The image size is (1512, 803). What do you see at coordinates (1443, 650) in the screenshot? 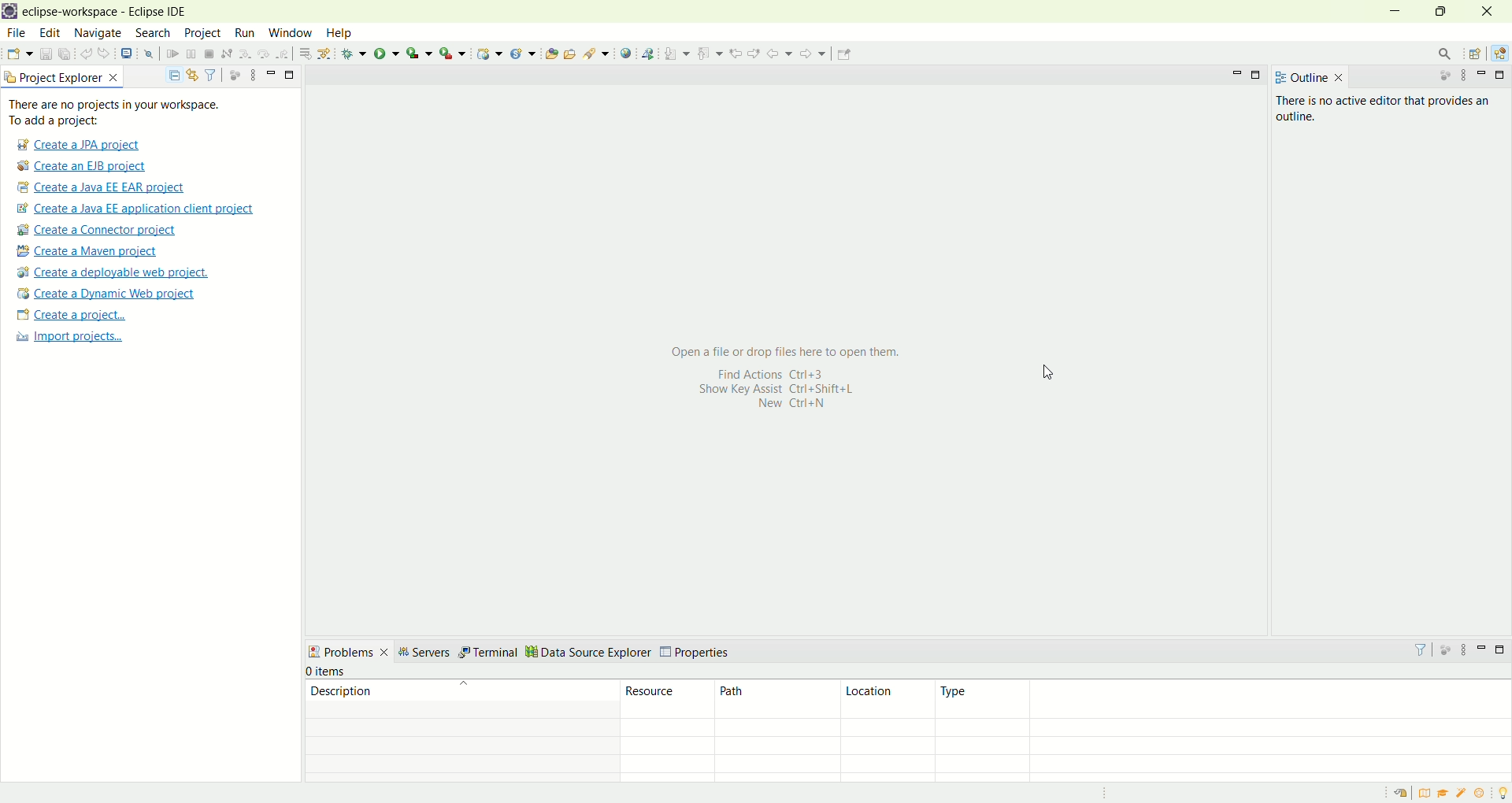
I see `focus on active task` at bounding box center [1443, 650].